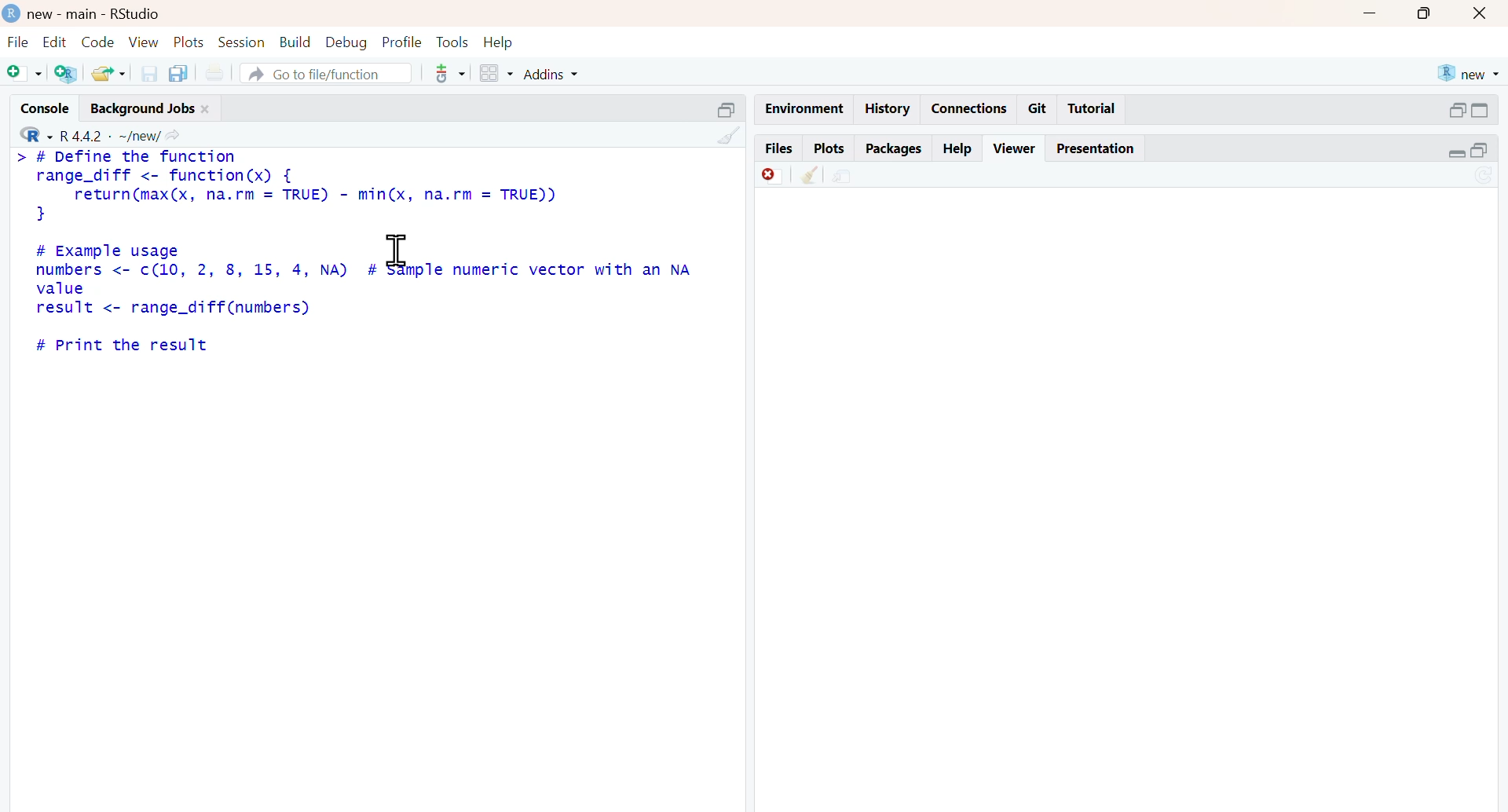 The height and width of the screenshot is (812, 1508). What do you see at coordinates (959, 150) in the screenshot?
I see `help` at bounding box center [959, 150].